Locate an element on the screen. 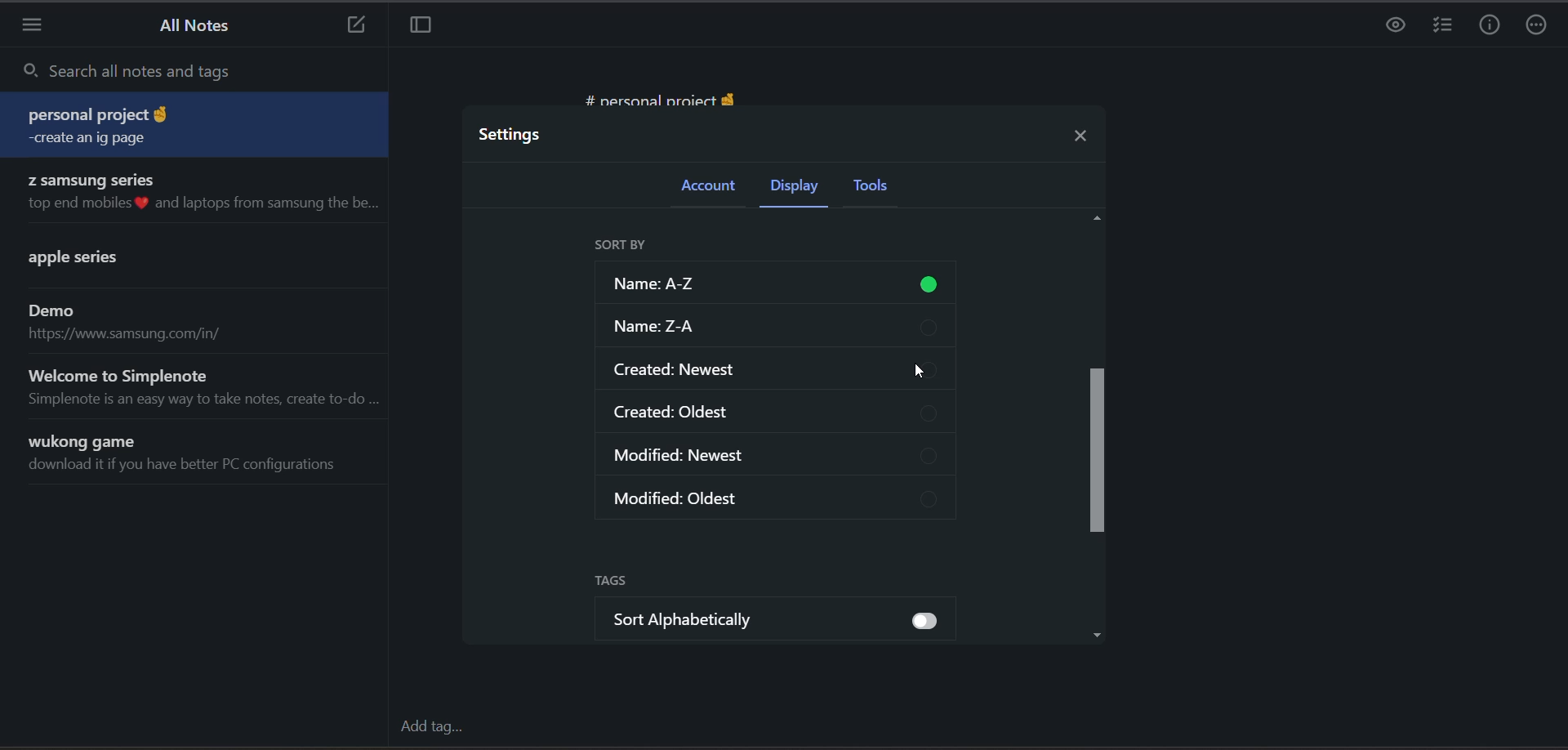 This screenshot has height=750, width=1568. sort by is located at coordinates (621, 243).